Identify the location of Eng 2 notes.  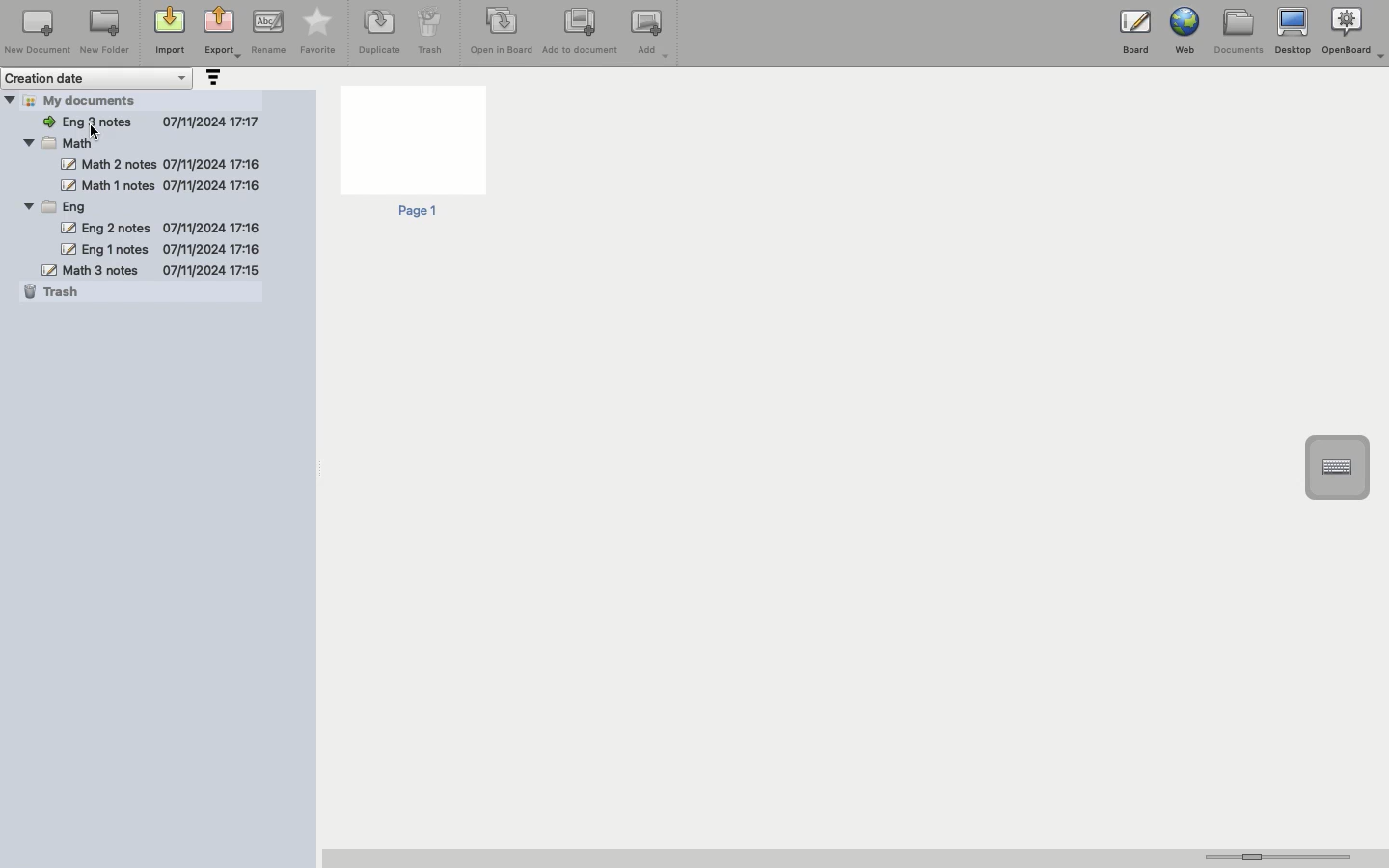
(157, 227).